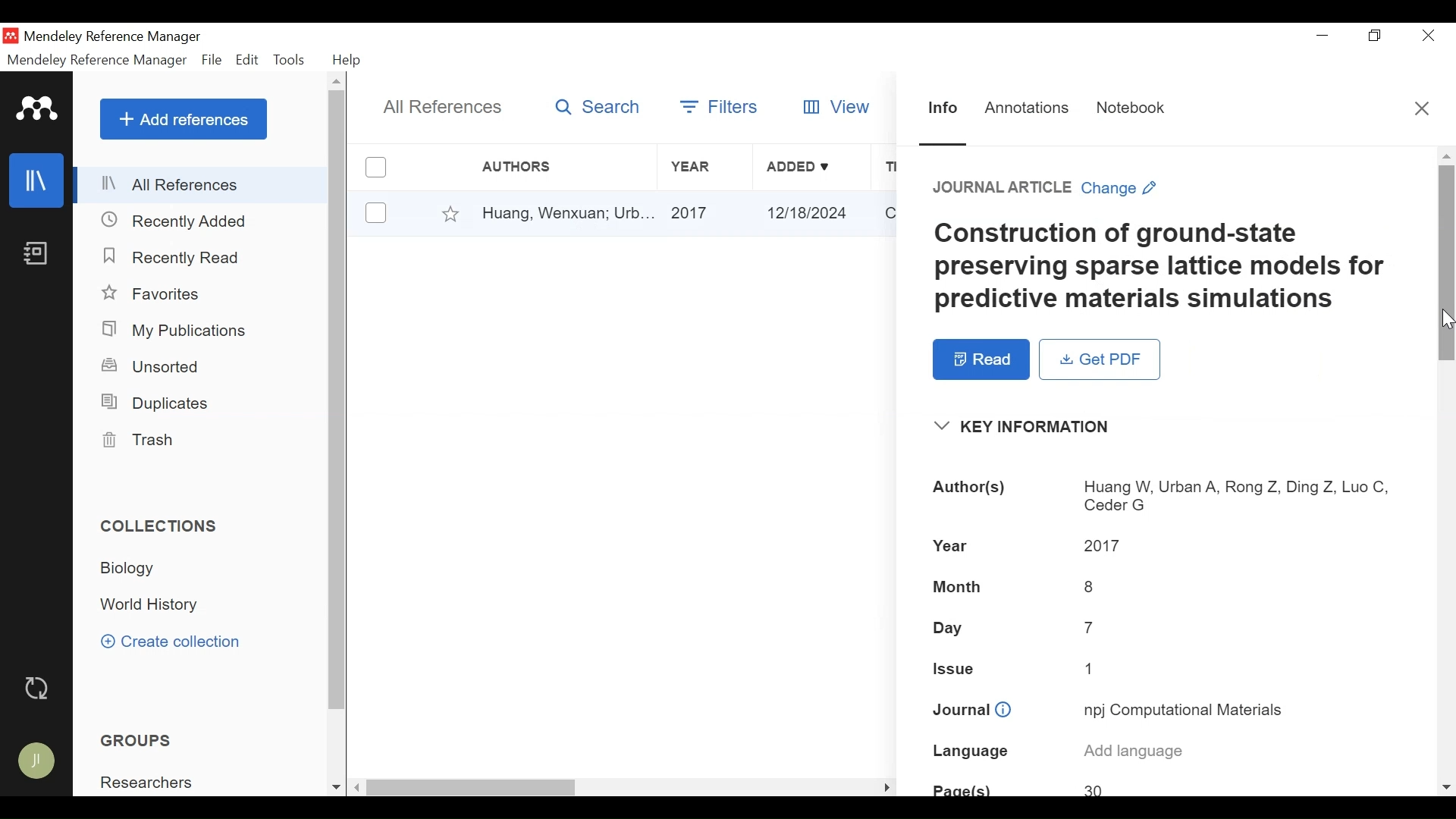 Image resolution: width=1456 pixels, height=819 pixels. I want to click on Scroll up, so click(1446, 155).